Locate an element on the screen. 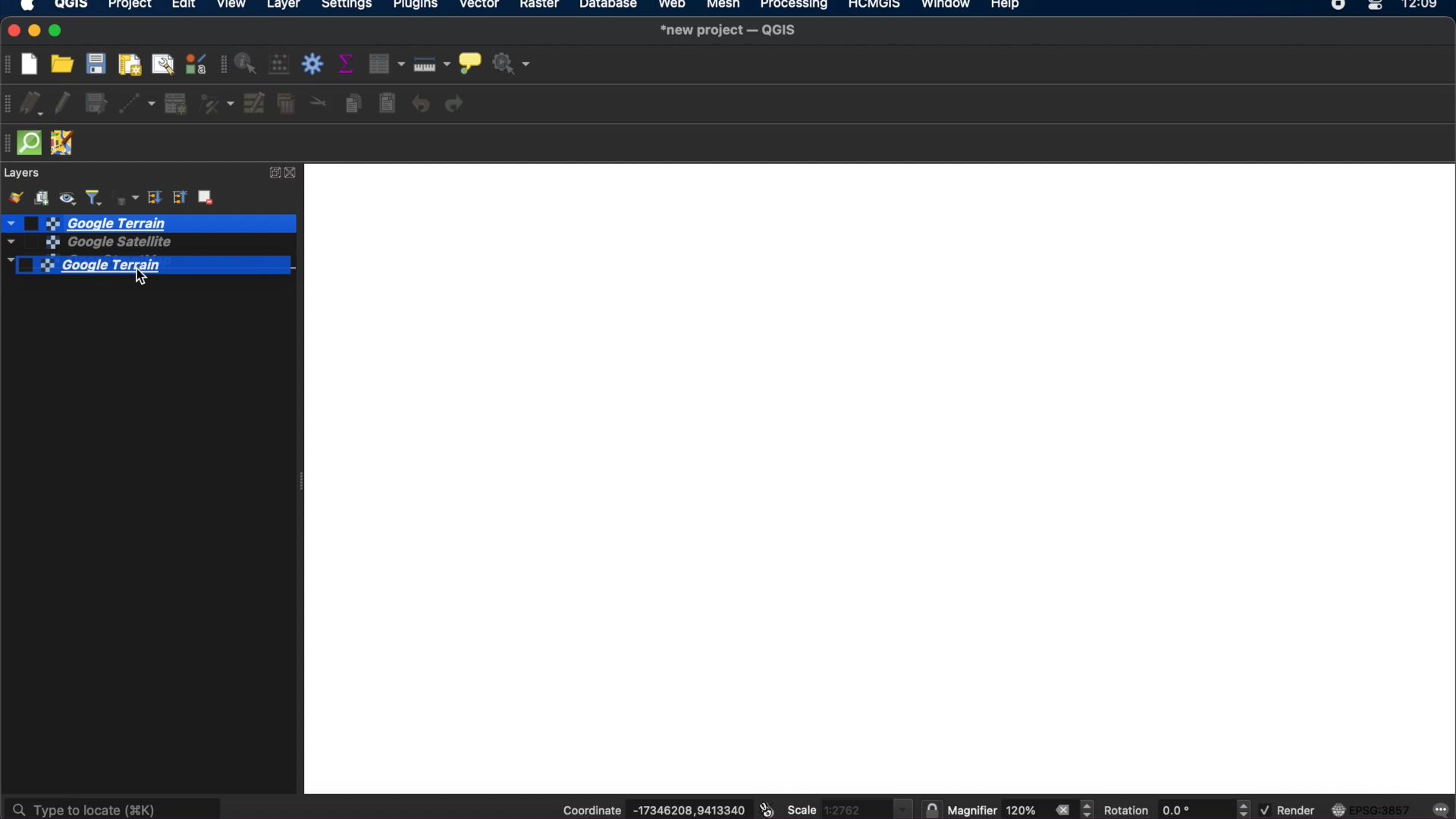 The image size is (1456, 819). copy features is located at coordinates (353, 103).